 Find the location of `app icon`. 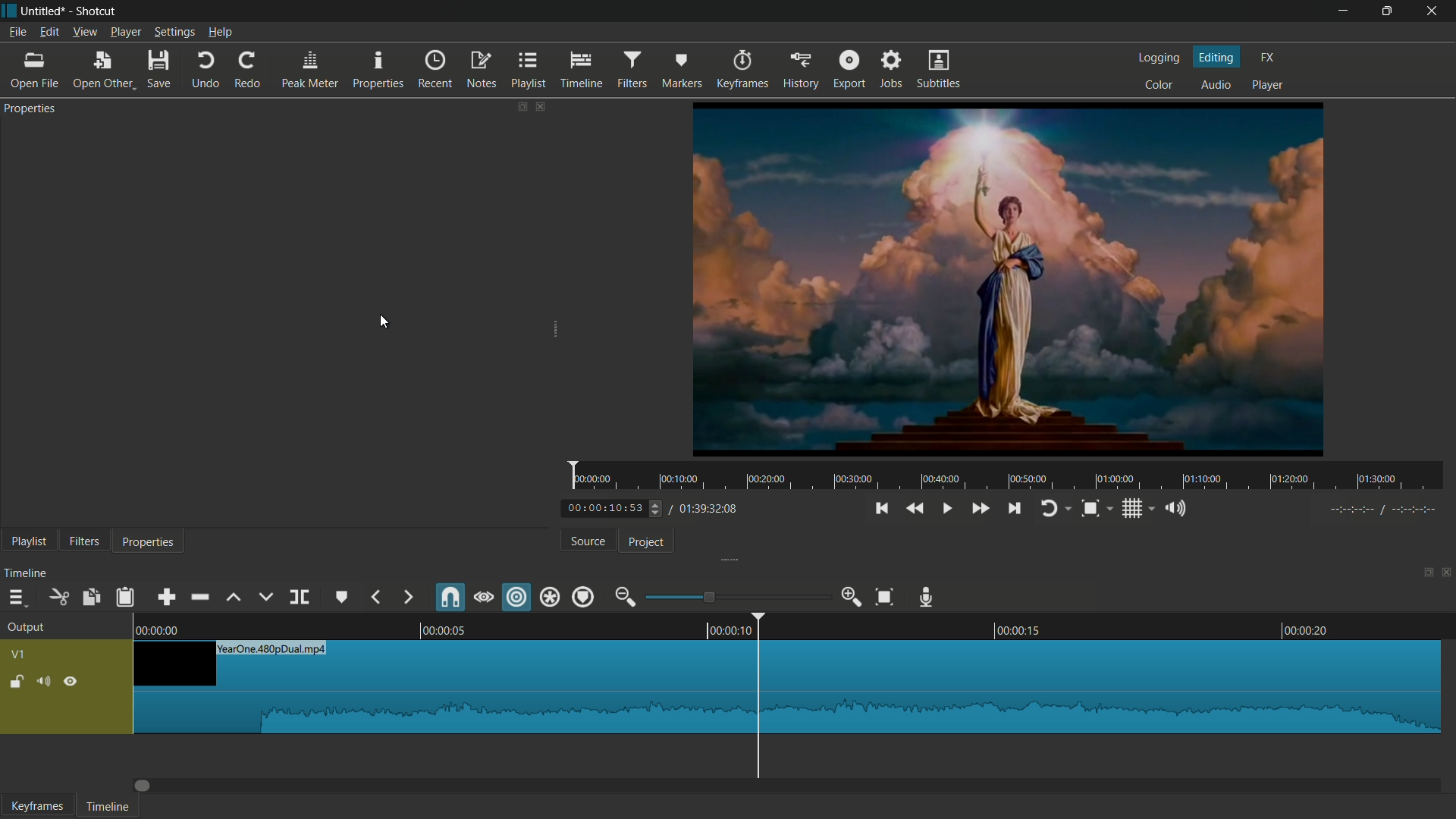

app icon is located at coordinates (9, 11).